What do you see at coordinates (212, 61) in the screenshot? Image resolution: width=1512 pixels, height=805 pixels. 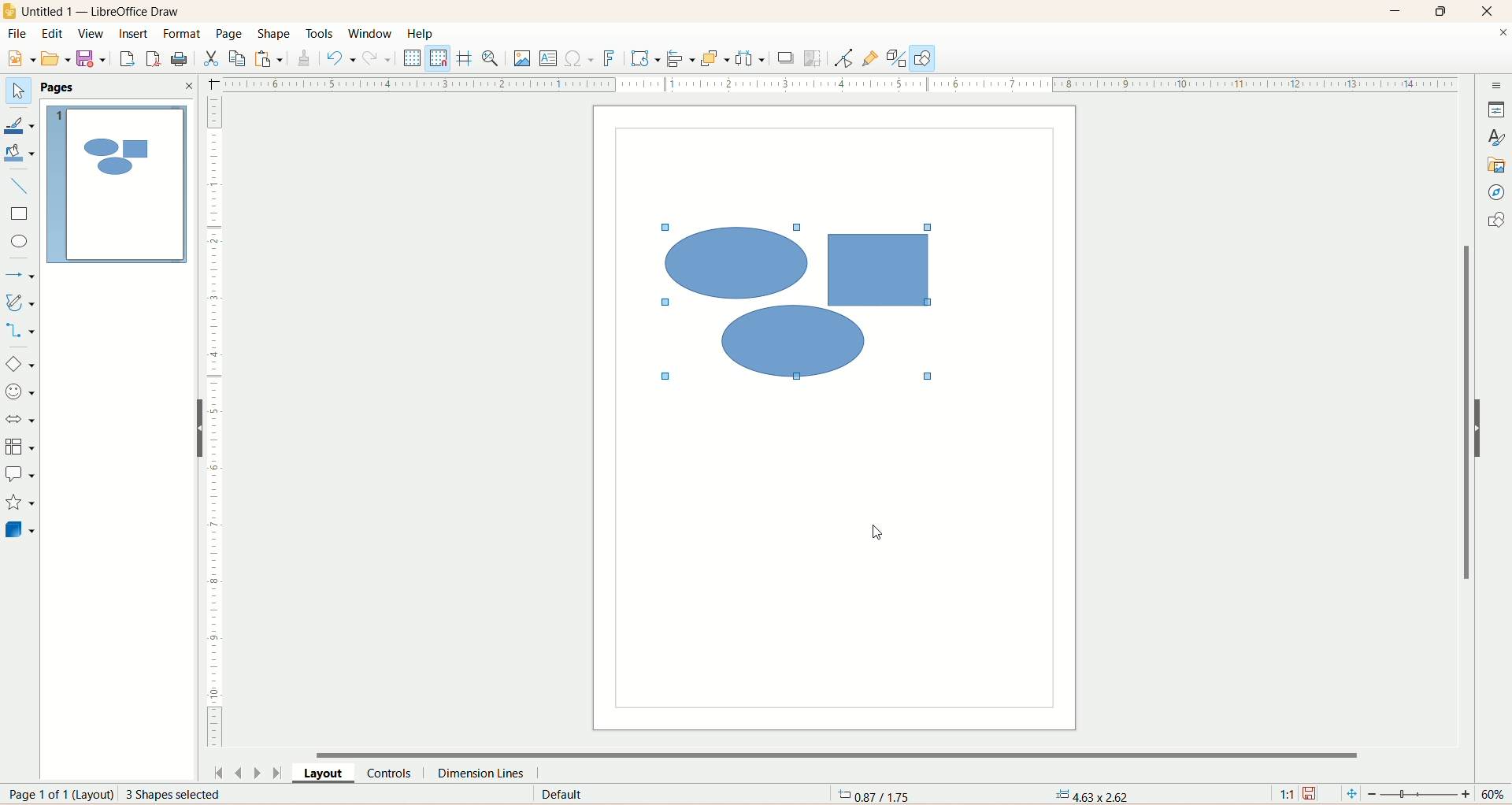 I see `cut` at bounding box center [212, 61].